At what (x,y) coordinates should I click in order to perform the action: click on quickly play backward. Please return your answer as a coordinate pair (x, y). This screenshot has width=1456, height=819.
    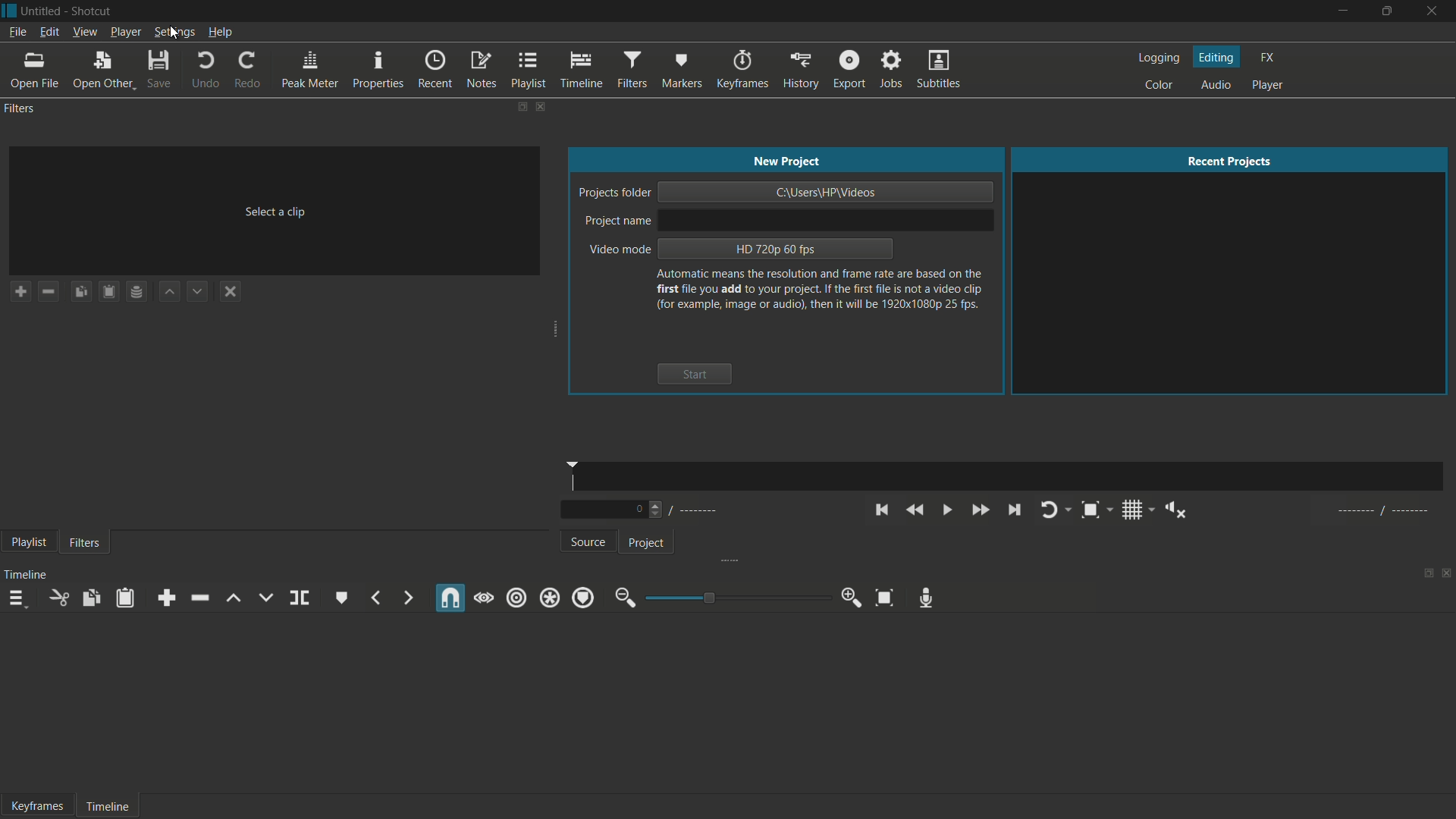
    Looking at the image, I should click on (913, 509).